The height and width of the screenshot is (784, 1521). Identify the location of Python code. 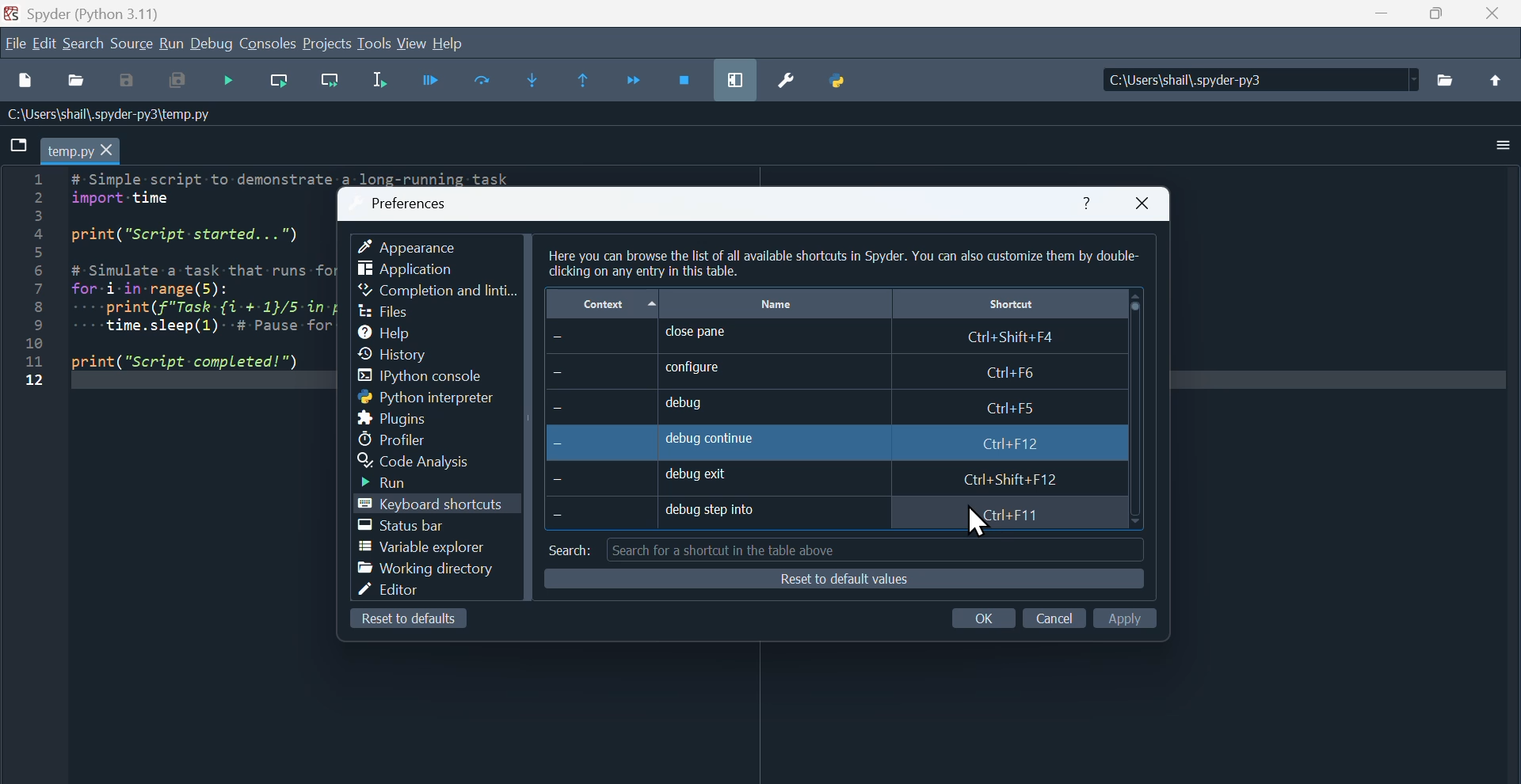
(155, 287).